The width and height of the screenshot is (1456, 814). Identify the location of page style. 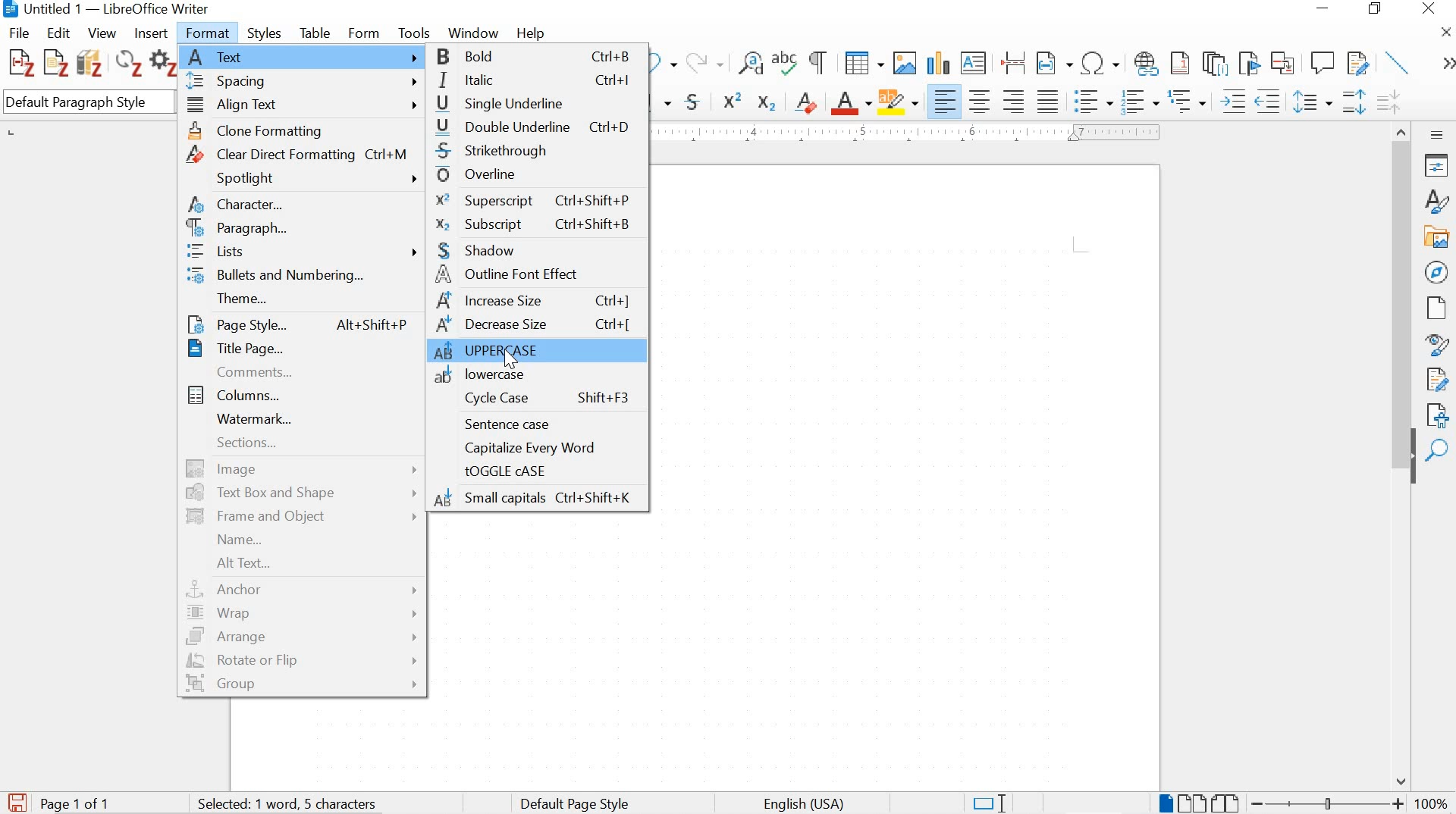
(297, 323).